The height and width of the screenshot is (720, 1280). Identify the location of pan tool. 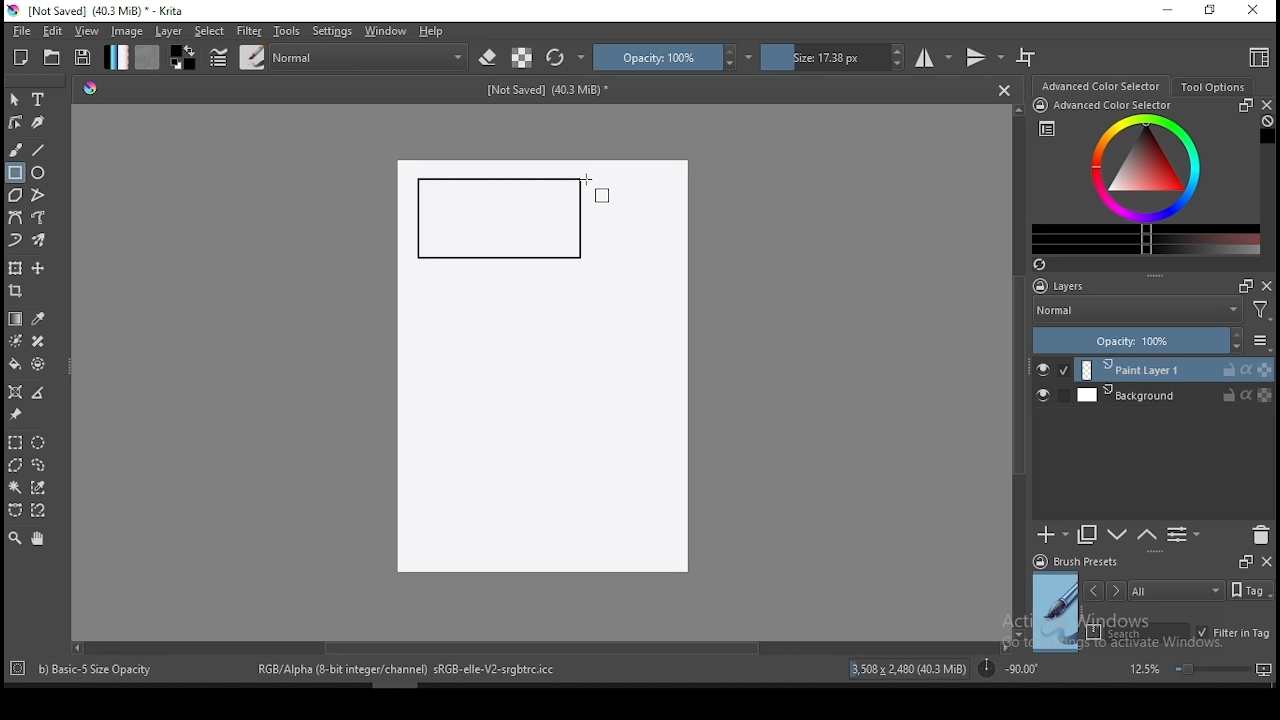
(36, 539).